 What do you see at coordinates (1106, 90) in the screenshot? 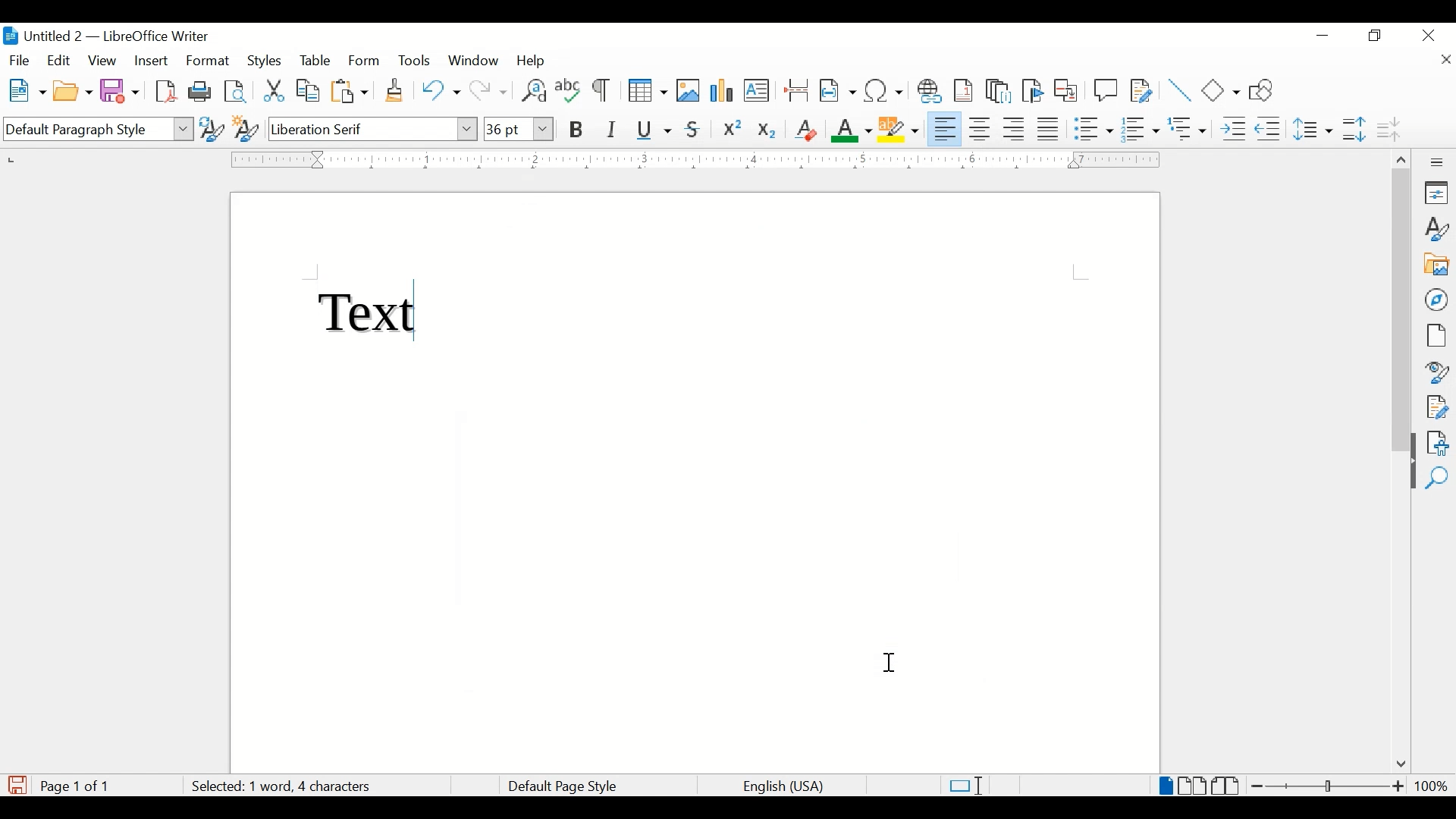
I see `new comment` at bounding box center [1106, 90].